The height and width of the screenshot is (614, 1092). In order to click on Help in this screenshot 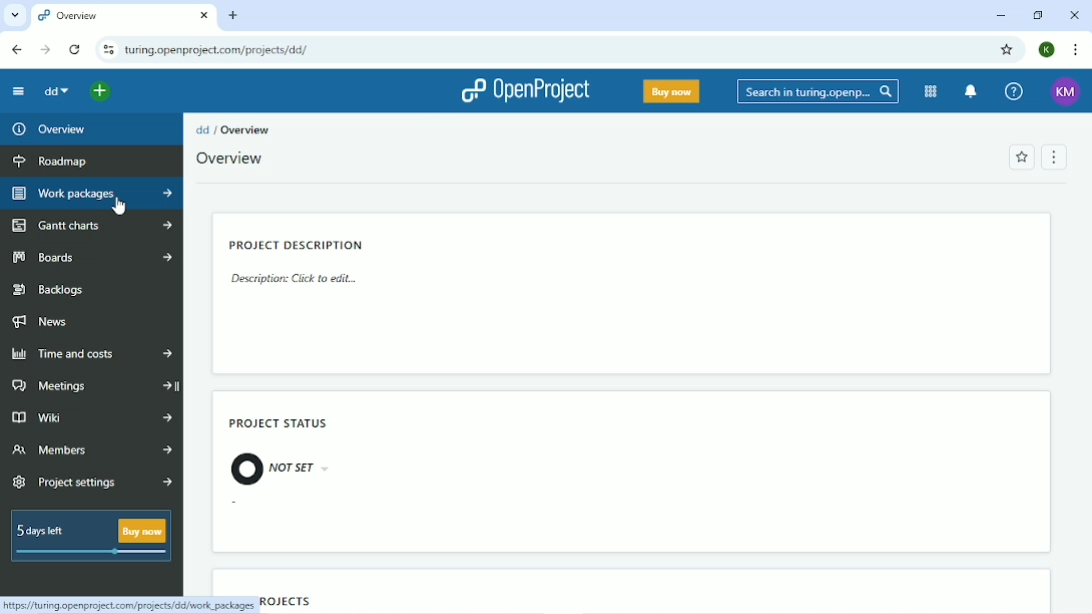, I will do `click(1013, 92)`.